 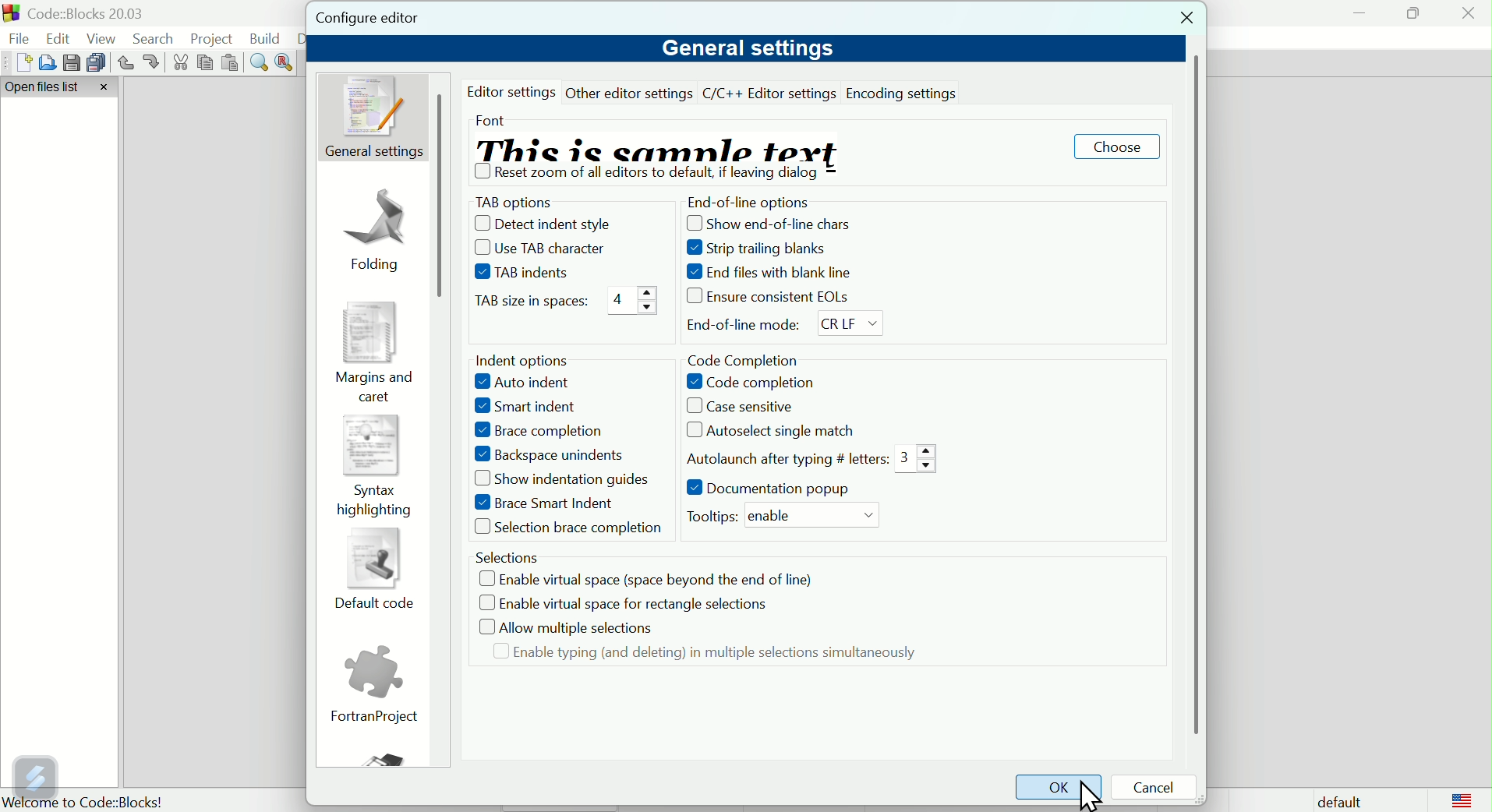 I want to click on Auto launch after typing # letters: 3, so click(x=783, y=458).